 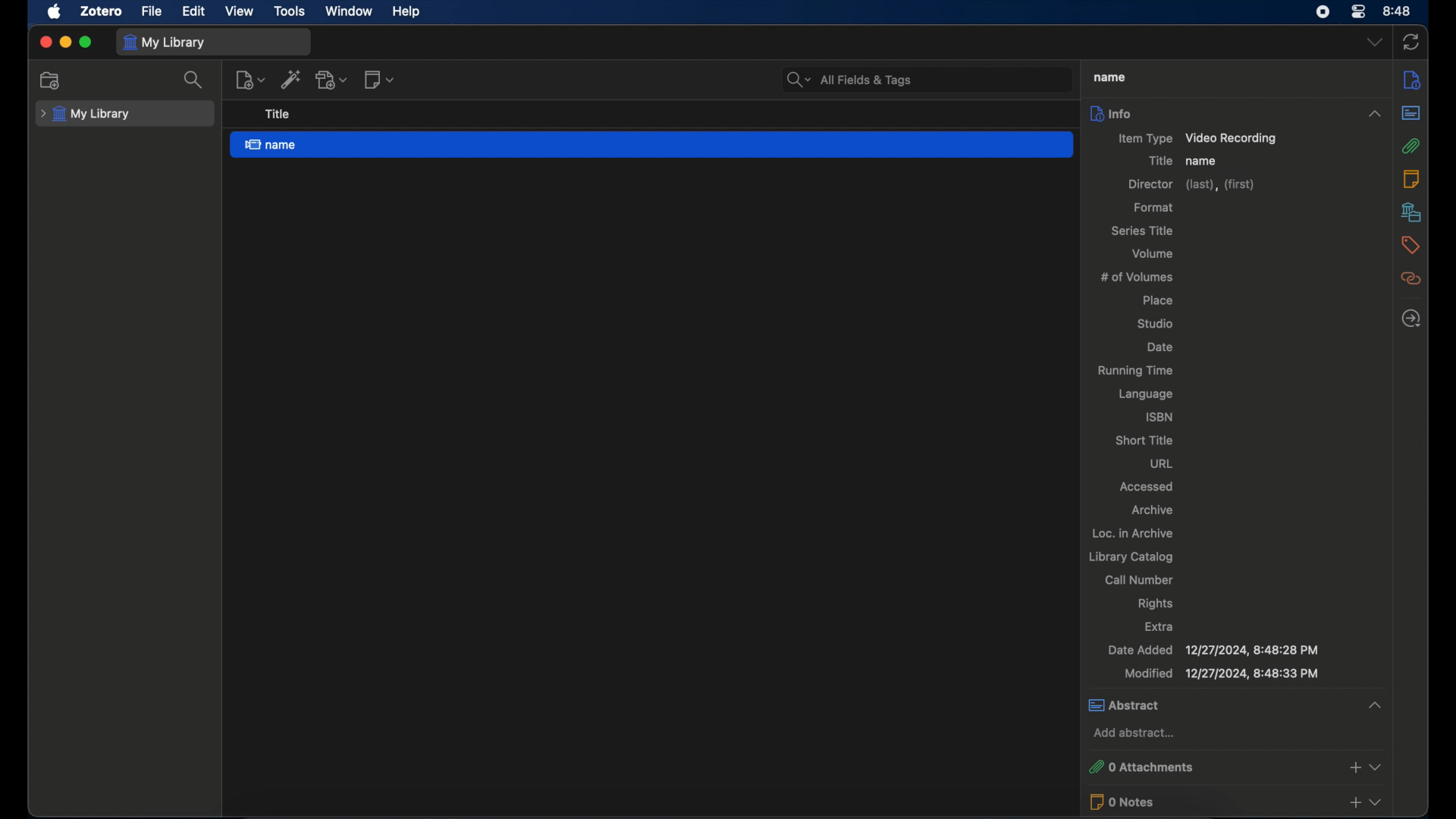 What do you see at coordinates (1110, 77) in the screenshot?
I see `name` at bounding box center [1110, 77].